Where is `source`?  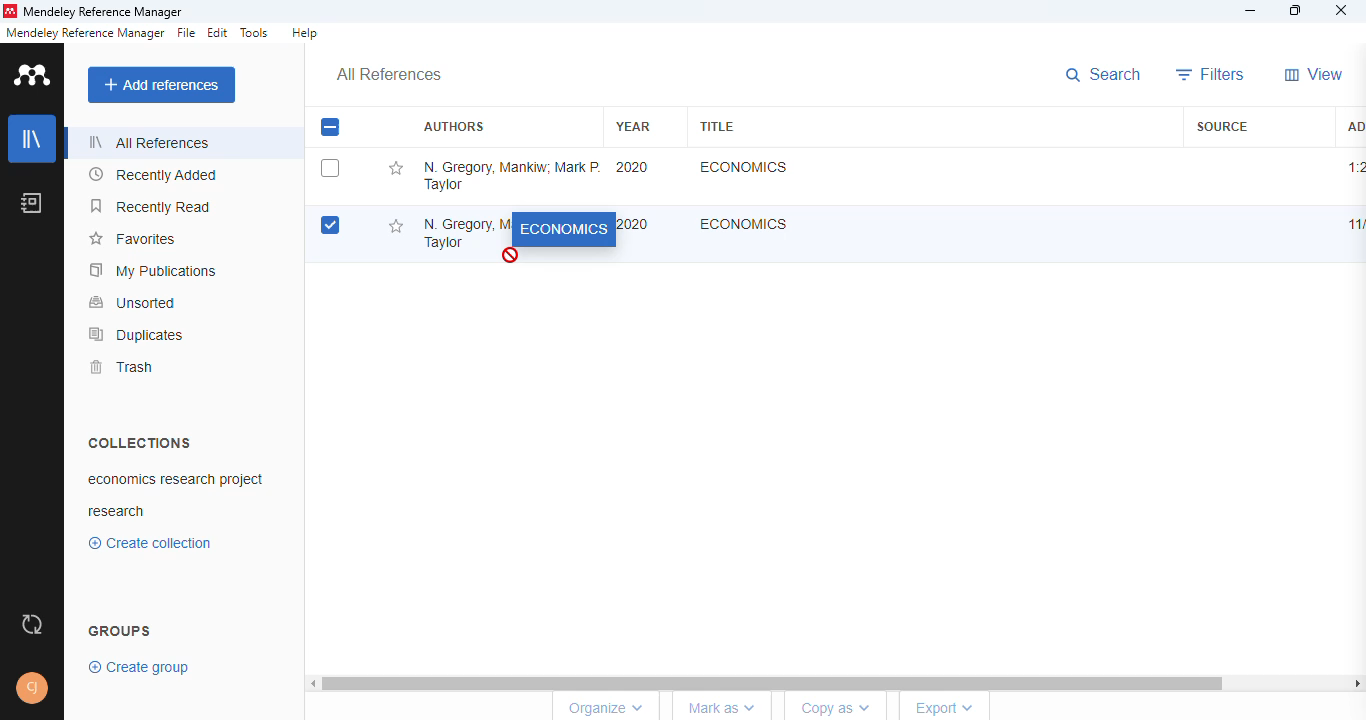 source is located at coordinates (1222, 126).